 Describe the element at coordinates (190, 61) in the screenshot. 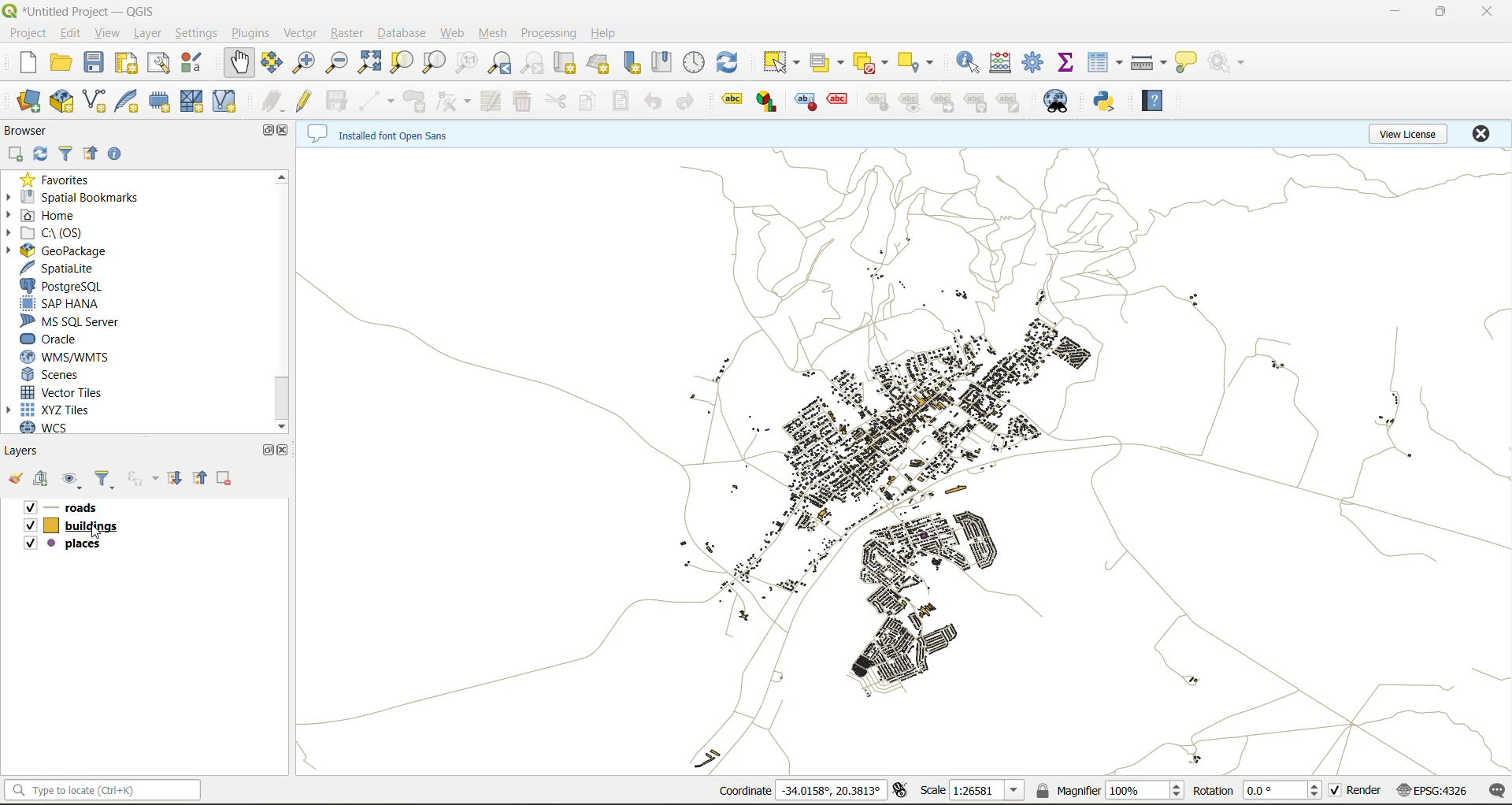

I see `style manager` at that location.